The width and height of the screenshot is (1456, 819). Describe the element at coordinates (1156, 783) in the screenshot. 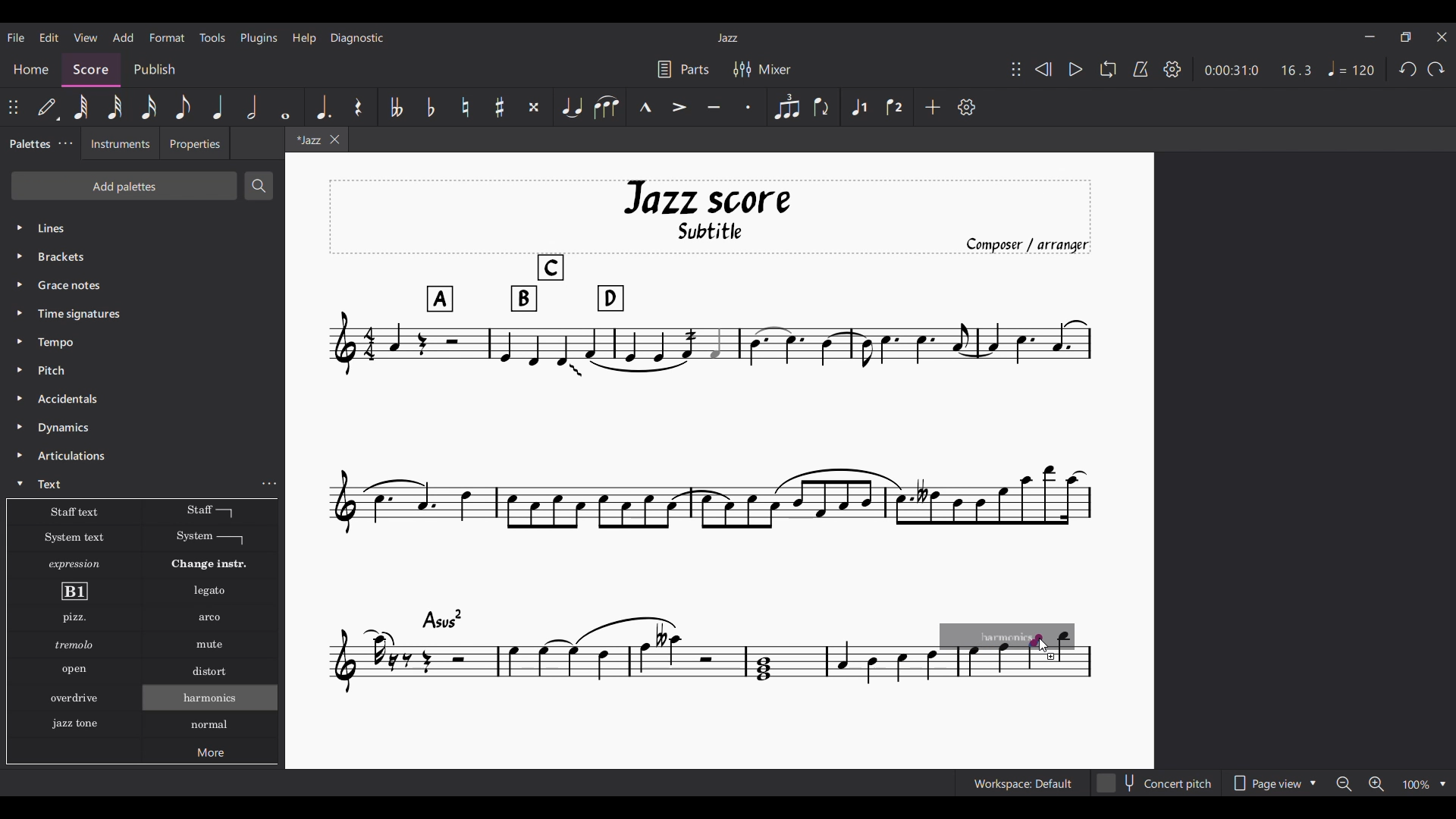

I see `Concert pitch toggle` at that location.